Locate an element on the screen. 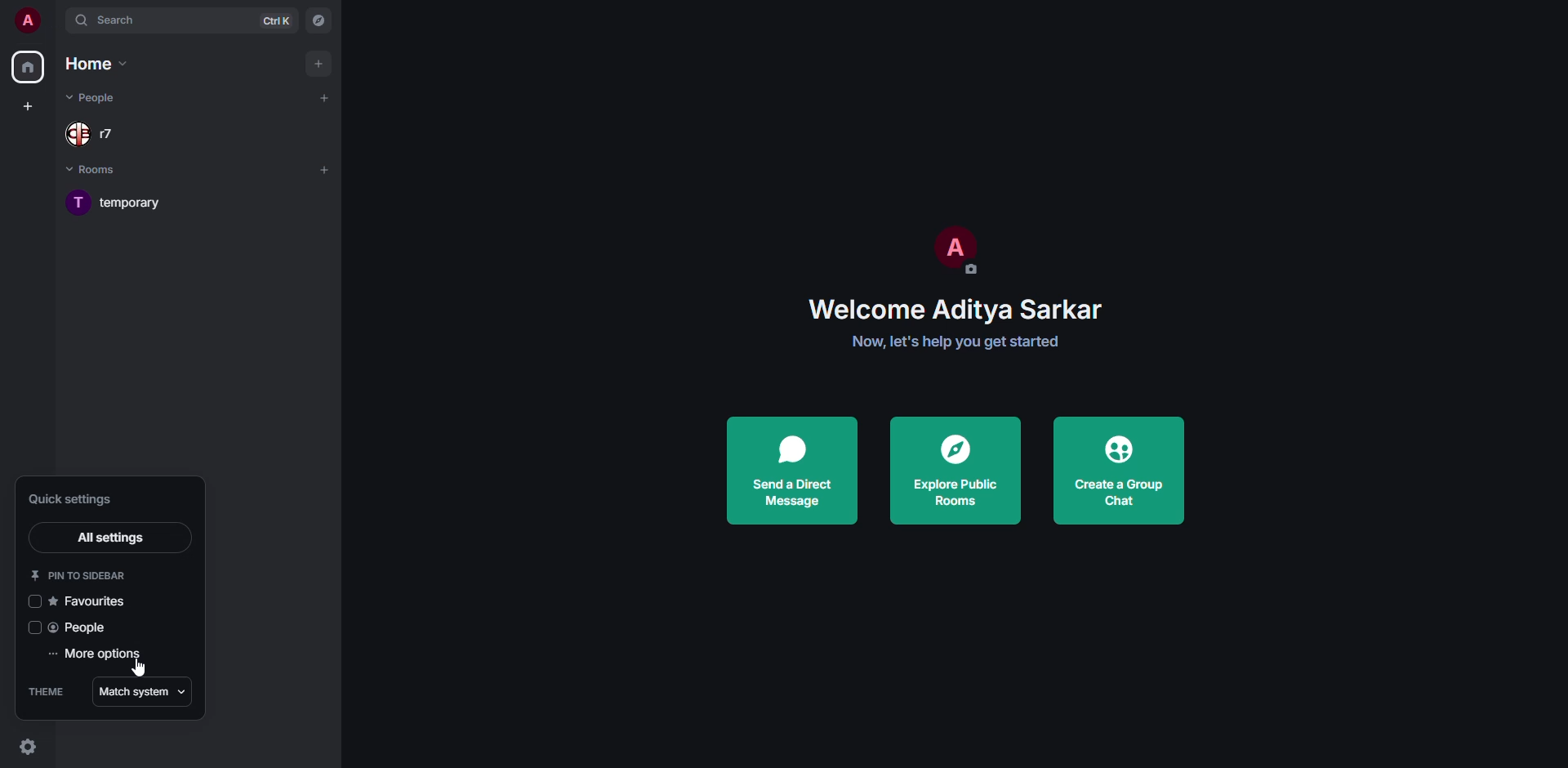  click to enable is located at coordinates (34, 602).